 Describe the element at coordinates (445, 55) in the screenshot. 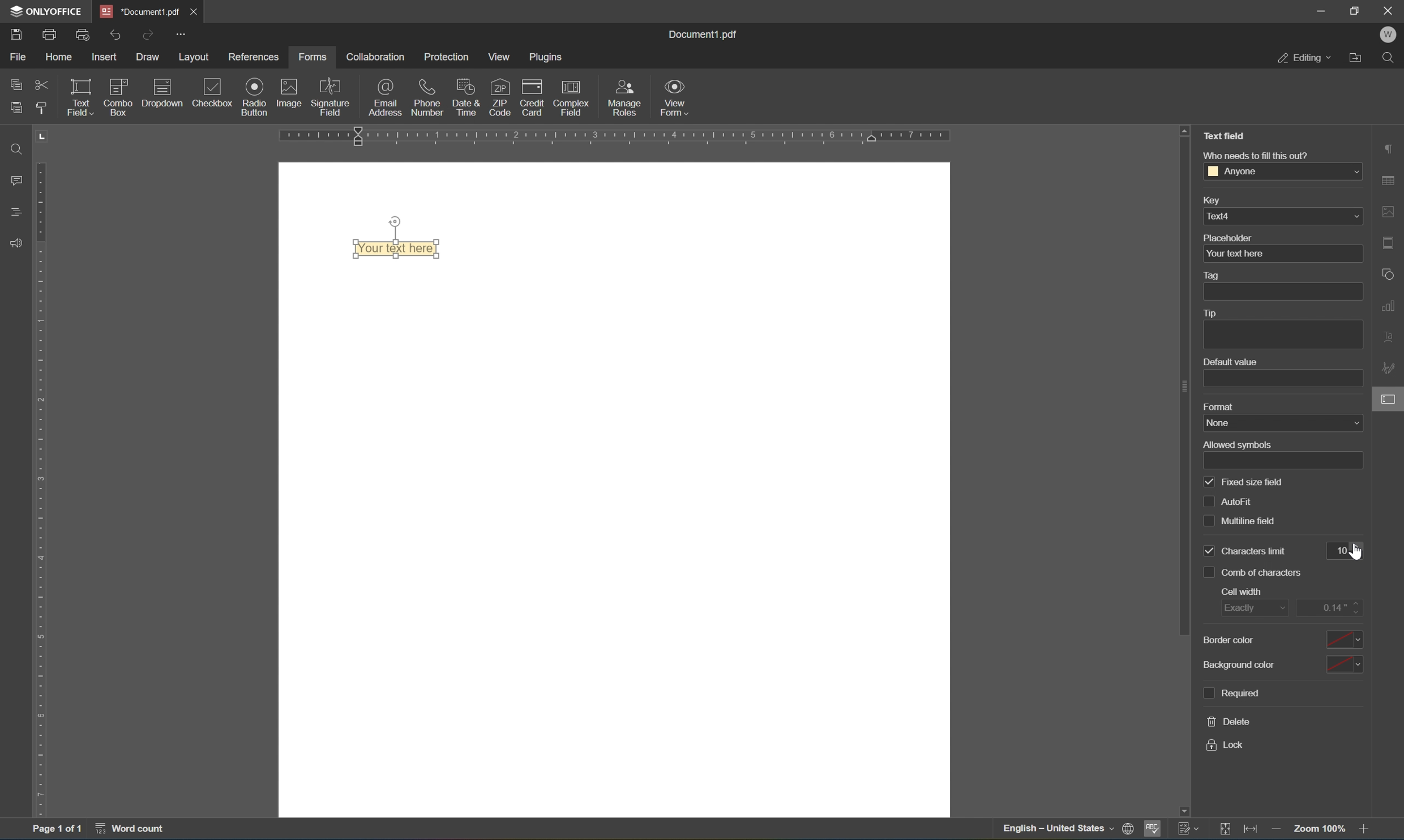

I see `protection` at that location.